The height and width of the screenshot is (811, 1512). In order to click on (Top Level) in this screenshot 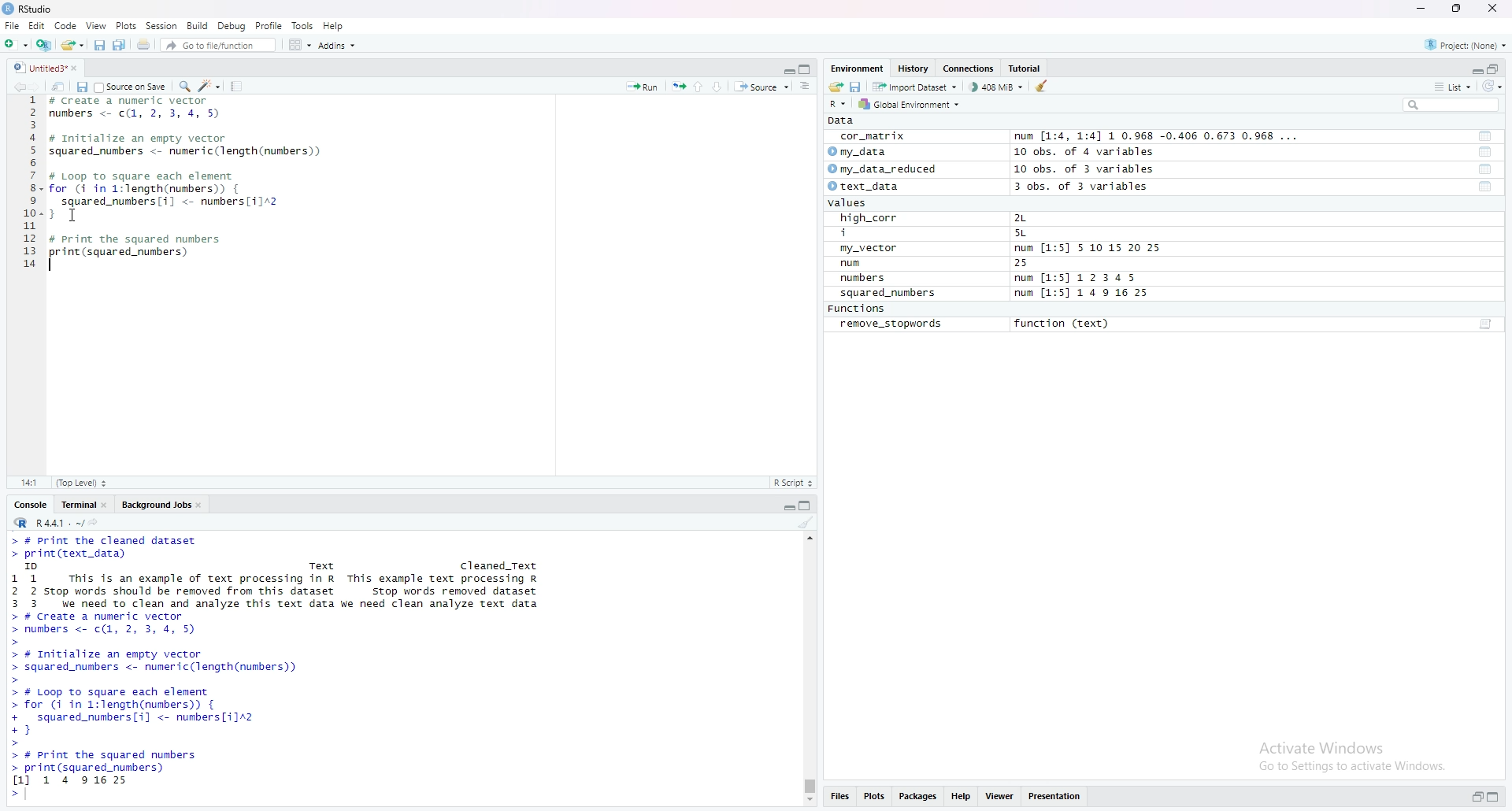, I will do `click(81, 483)`.